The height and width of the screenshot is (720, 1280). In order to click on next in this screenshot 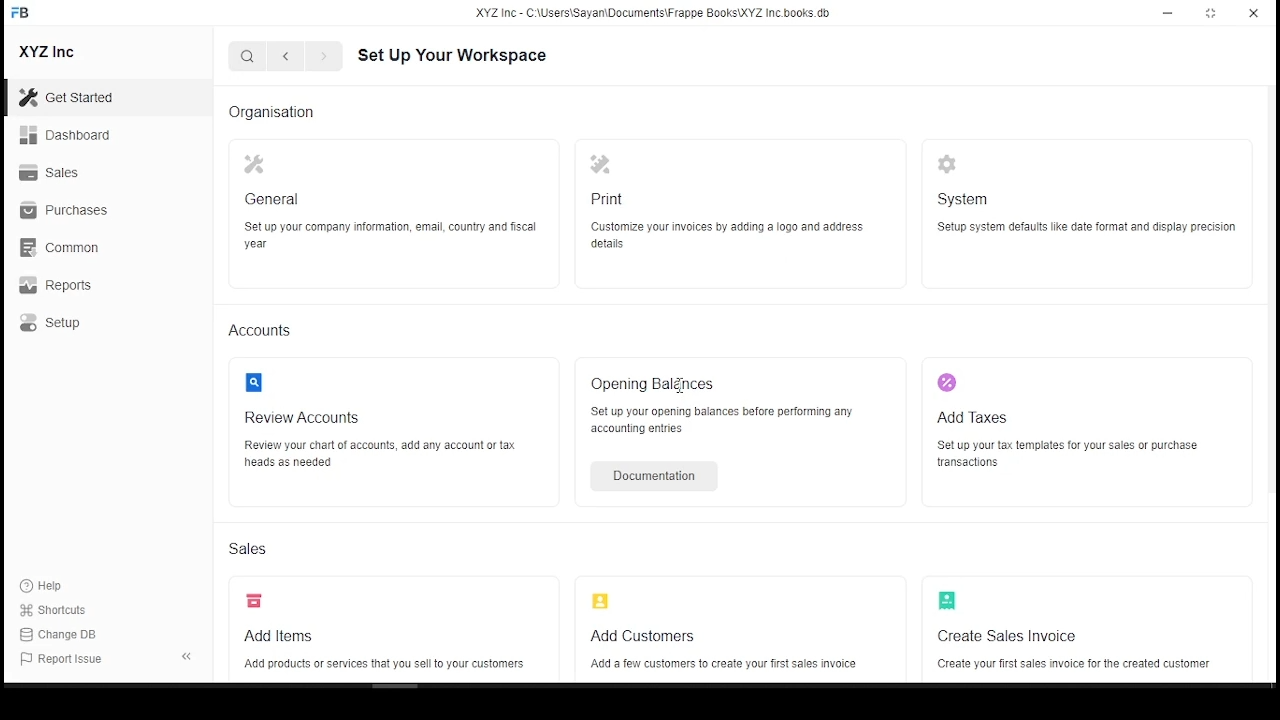, I will do `click(283, 57)`.